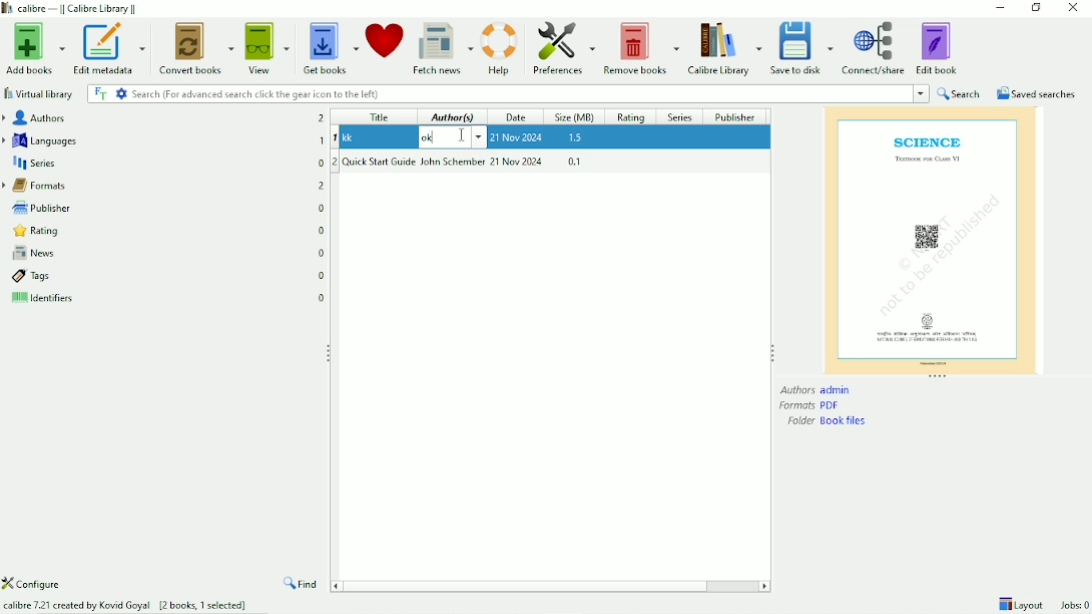 Image resolution: width=1092 pixels, height=614 pixels. I want to click on Size, so click(575, 116).